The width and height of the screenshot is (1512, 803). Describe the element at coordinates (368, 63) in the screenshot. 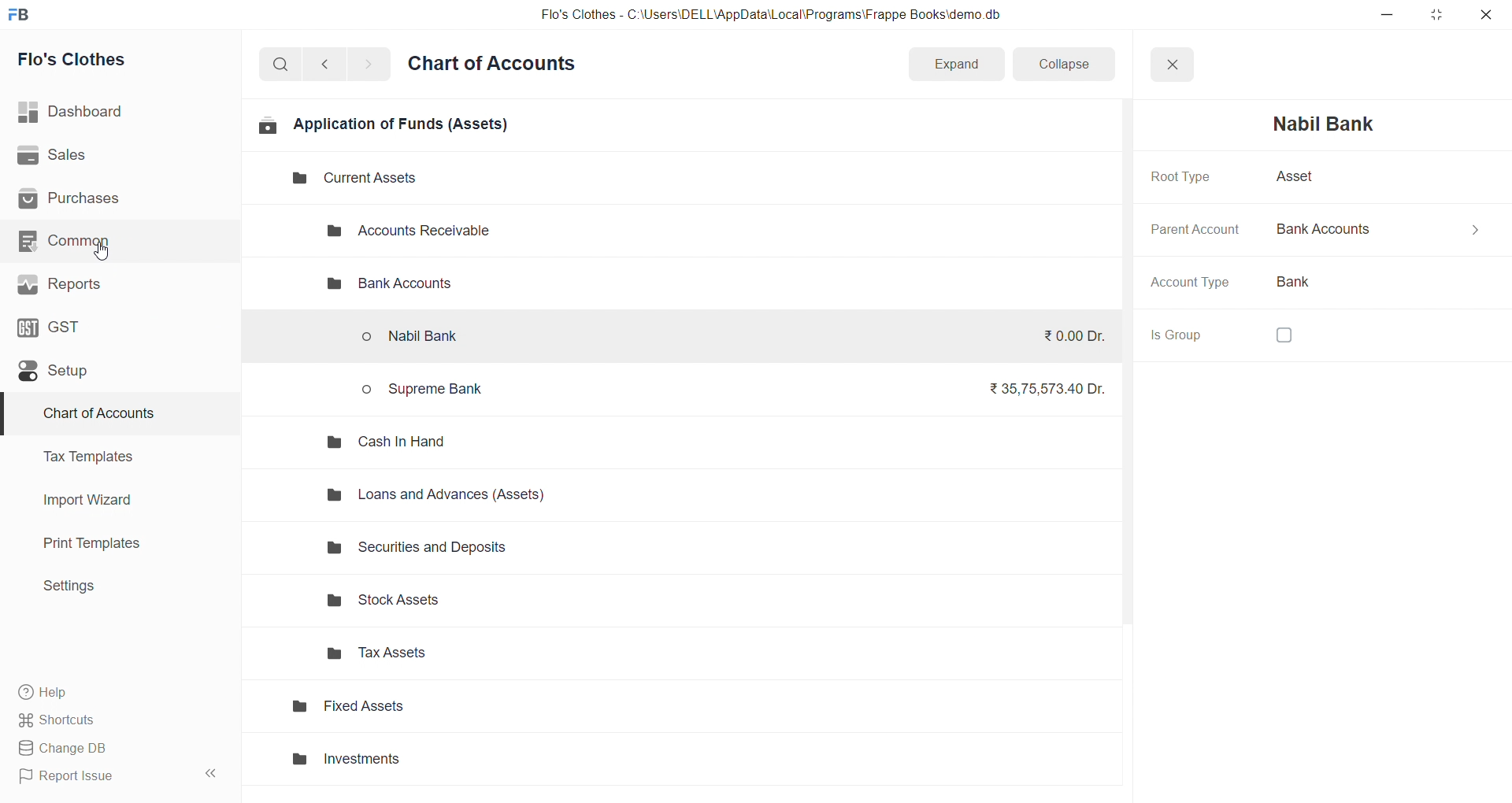

I see `navigate forward` at that location.